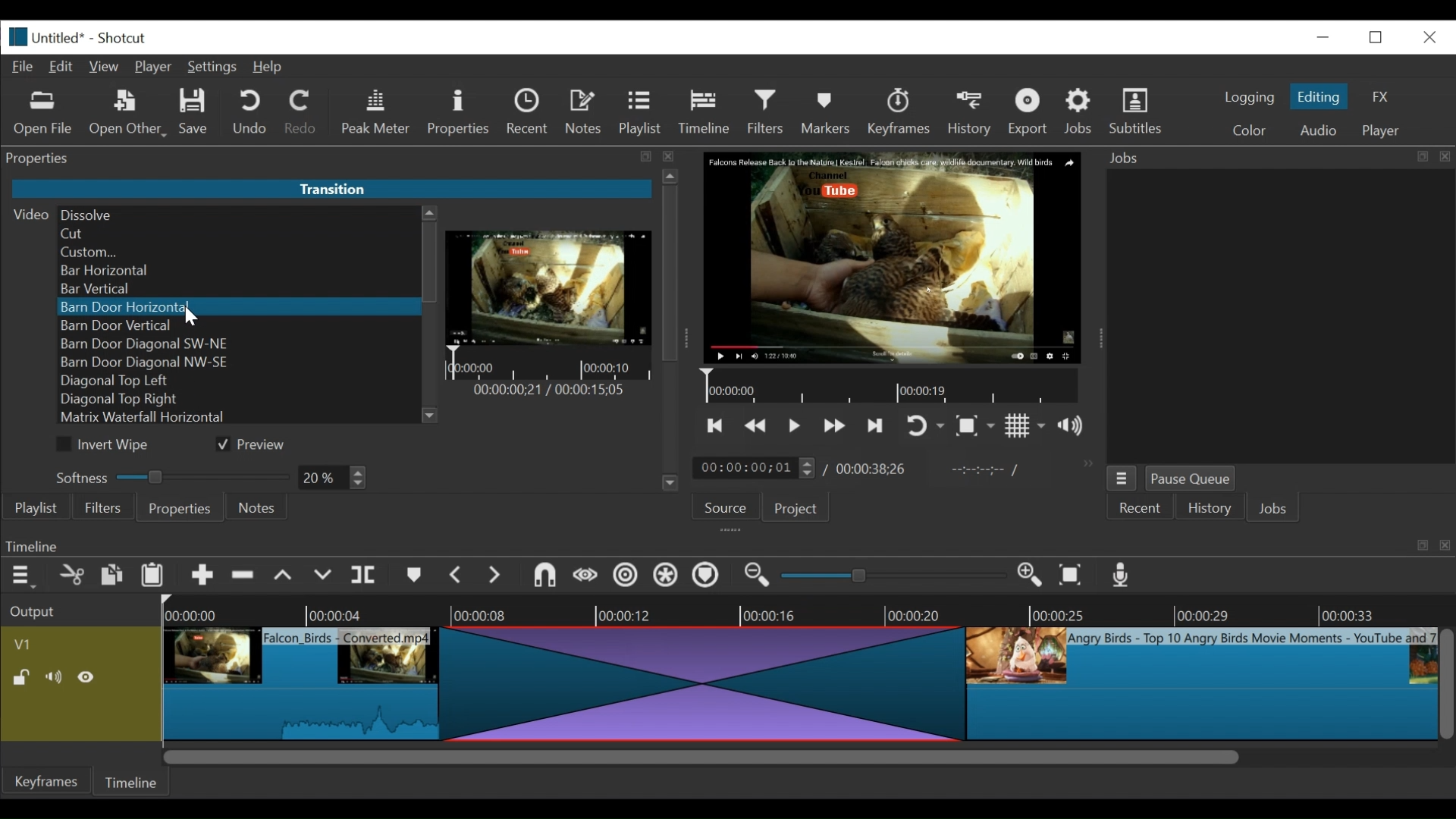  I want to click on toggle player looping, so click(925, 427).